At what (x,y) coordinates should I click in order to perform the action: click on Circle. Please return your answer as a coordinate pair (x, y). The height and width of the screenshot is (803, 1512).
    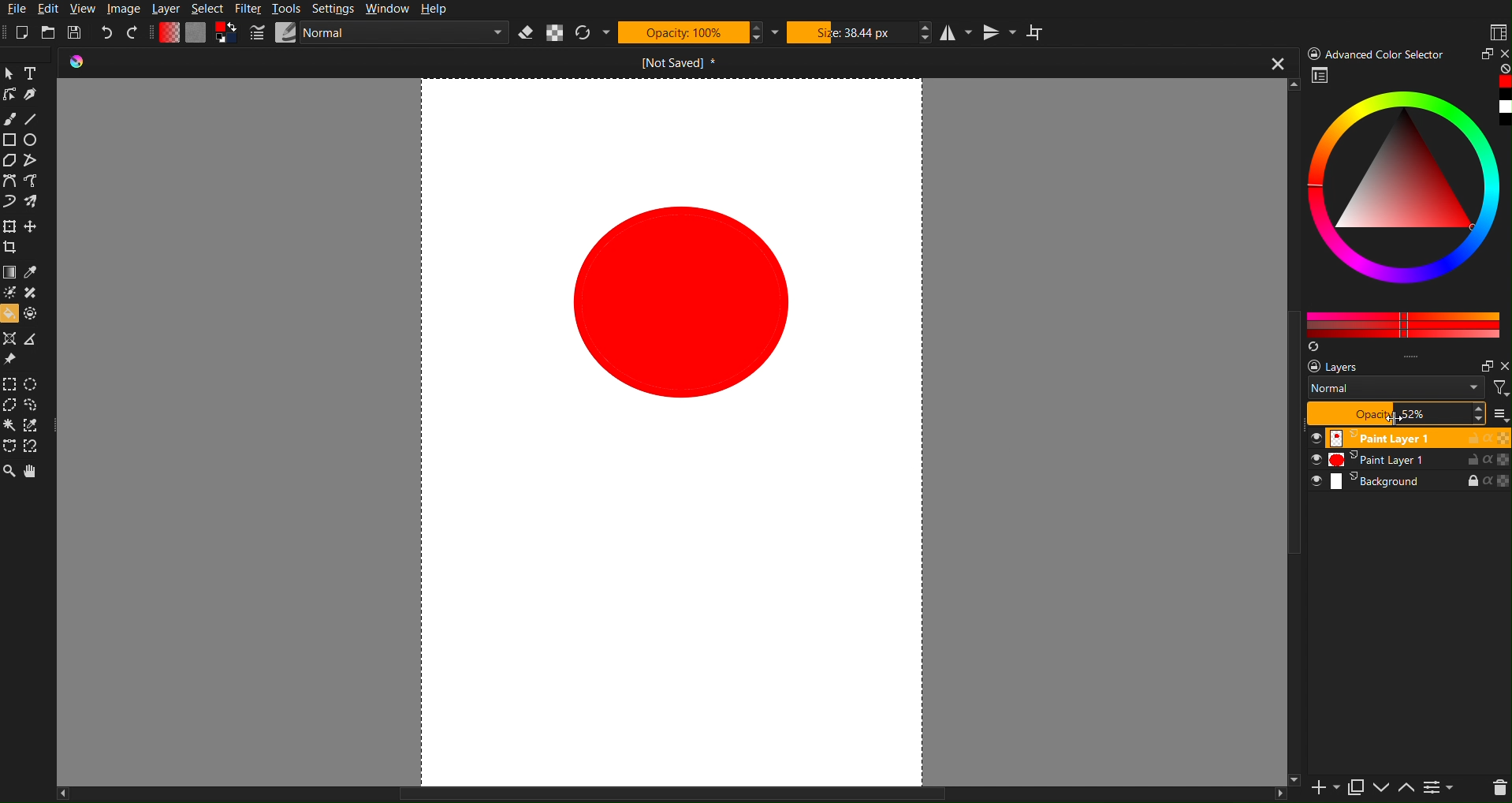
    Looking at the image, I should click on (31, 140).